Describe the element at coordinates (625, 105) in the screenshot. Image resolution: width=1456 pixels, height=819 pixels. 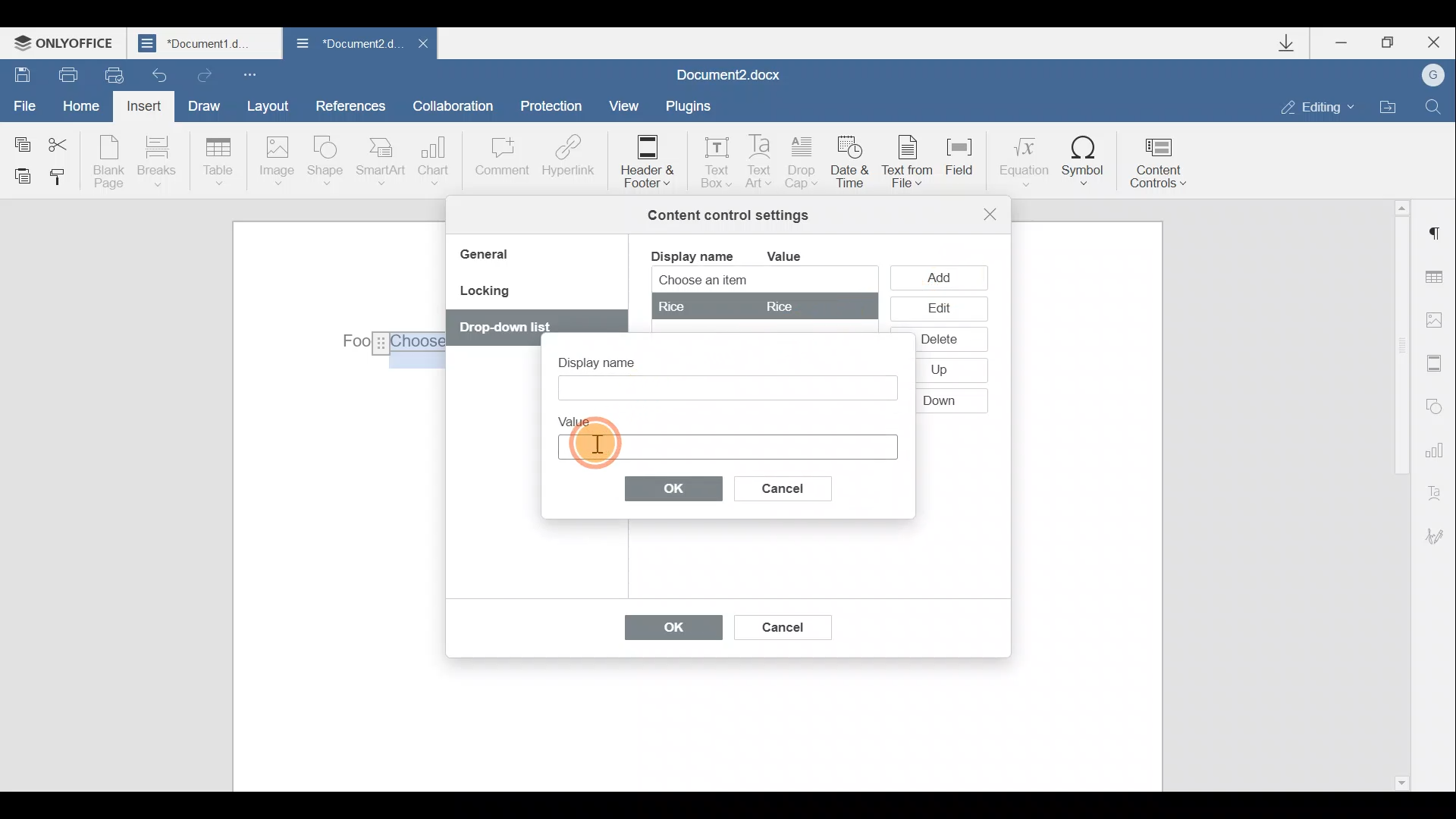
I see `View` at that location.